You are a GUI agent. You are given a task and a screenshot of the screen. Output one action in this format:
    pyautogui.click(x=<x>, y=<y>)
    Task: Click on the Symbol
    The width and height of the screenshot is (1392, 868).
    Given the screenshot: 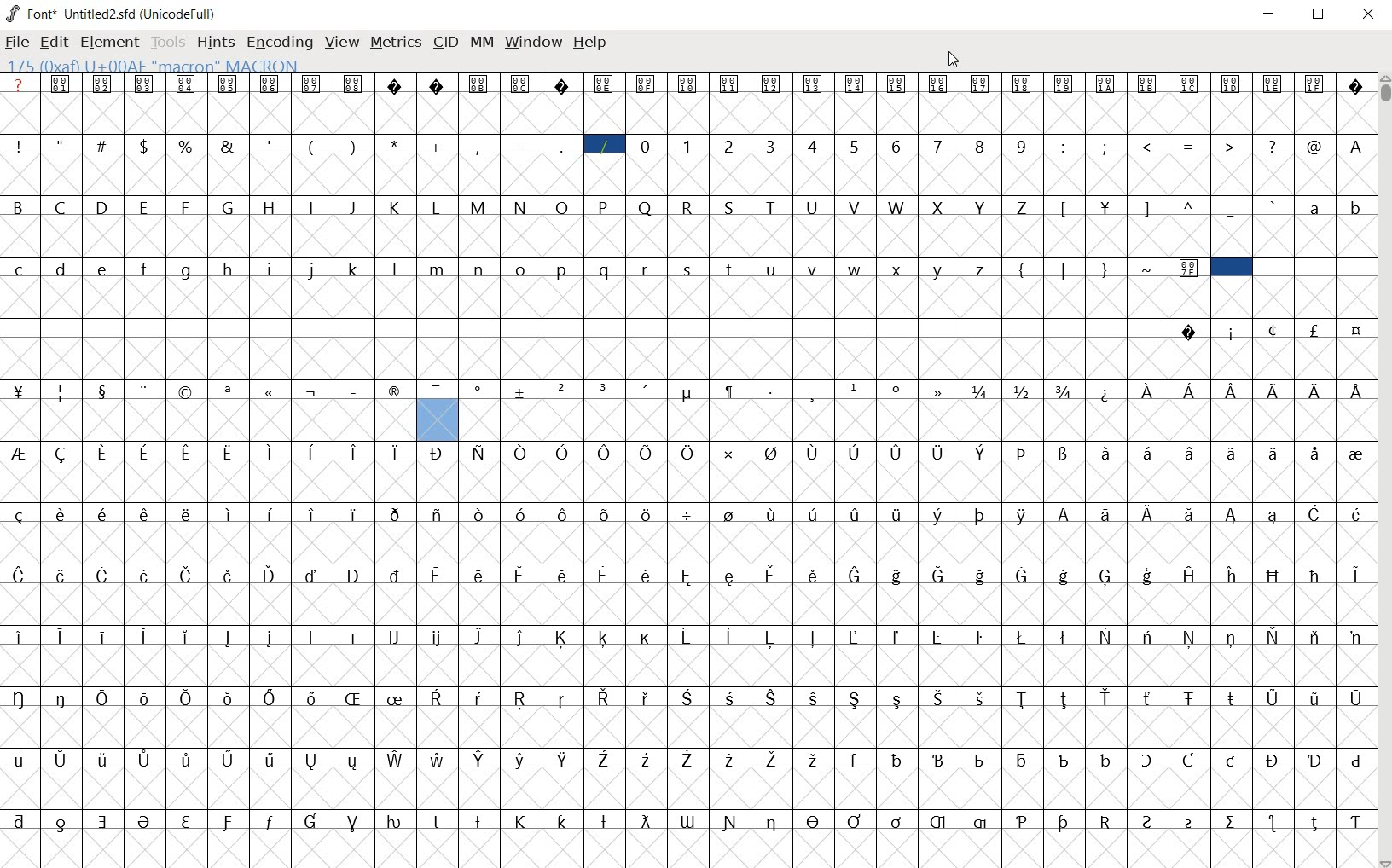 What is the action you would take?
    pyautogui.click(x=937, y=637)
    